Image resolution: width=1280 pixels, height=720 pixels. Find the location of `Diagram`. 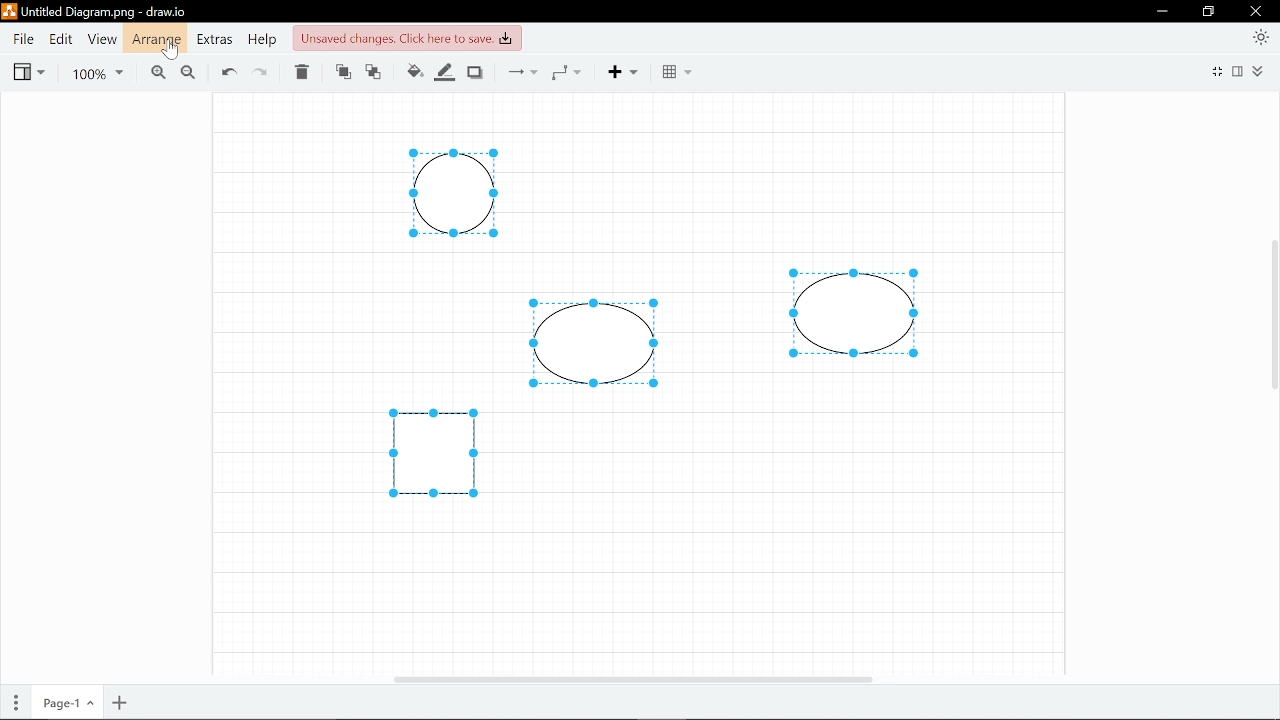

Diagram is located at coordinates (594, 343).